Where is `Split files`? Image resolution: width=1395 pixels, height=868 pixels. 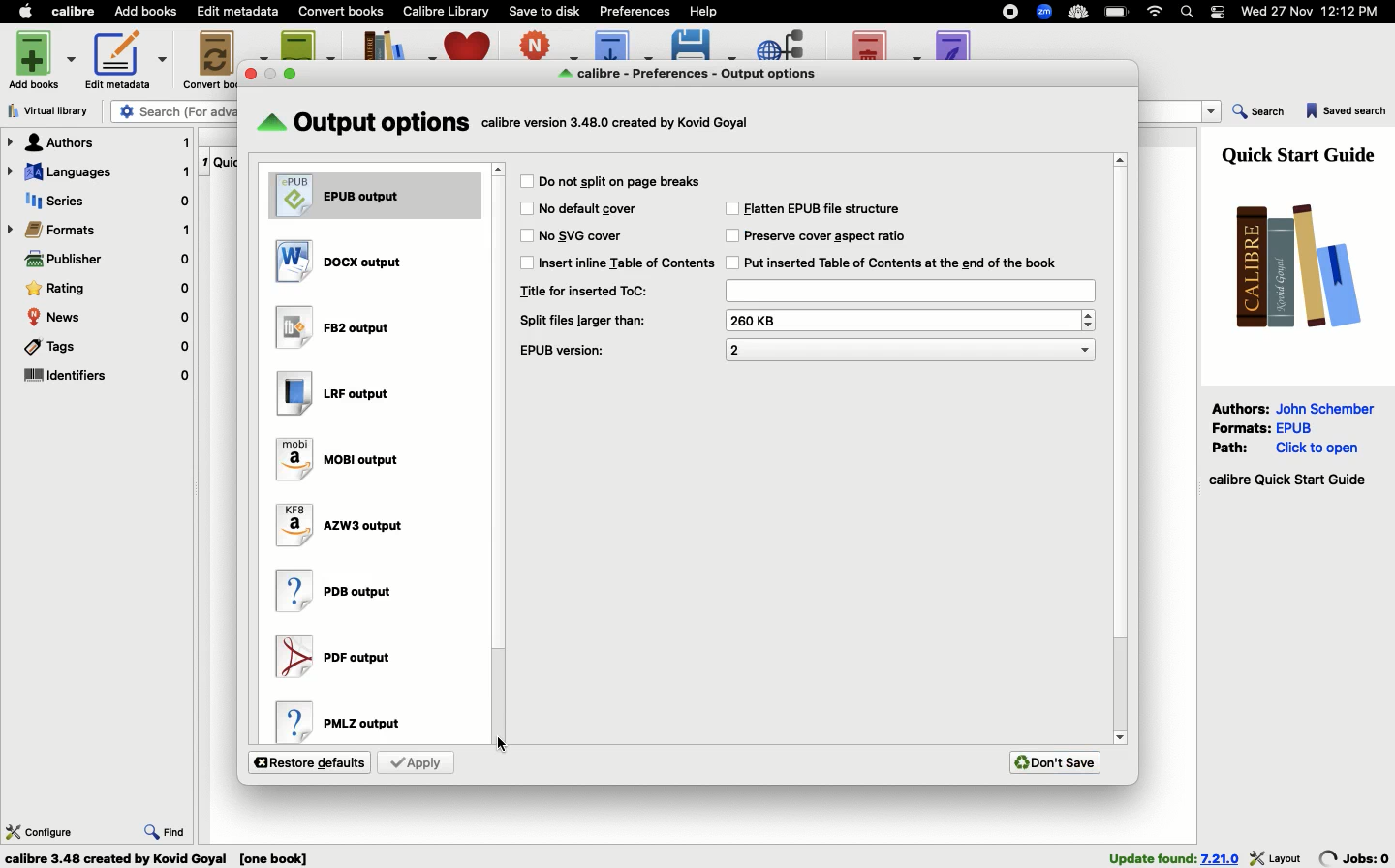
Split files is located at coordinates (585, 321).